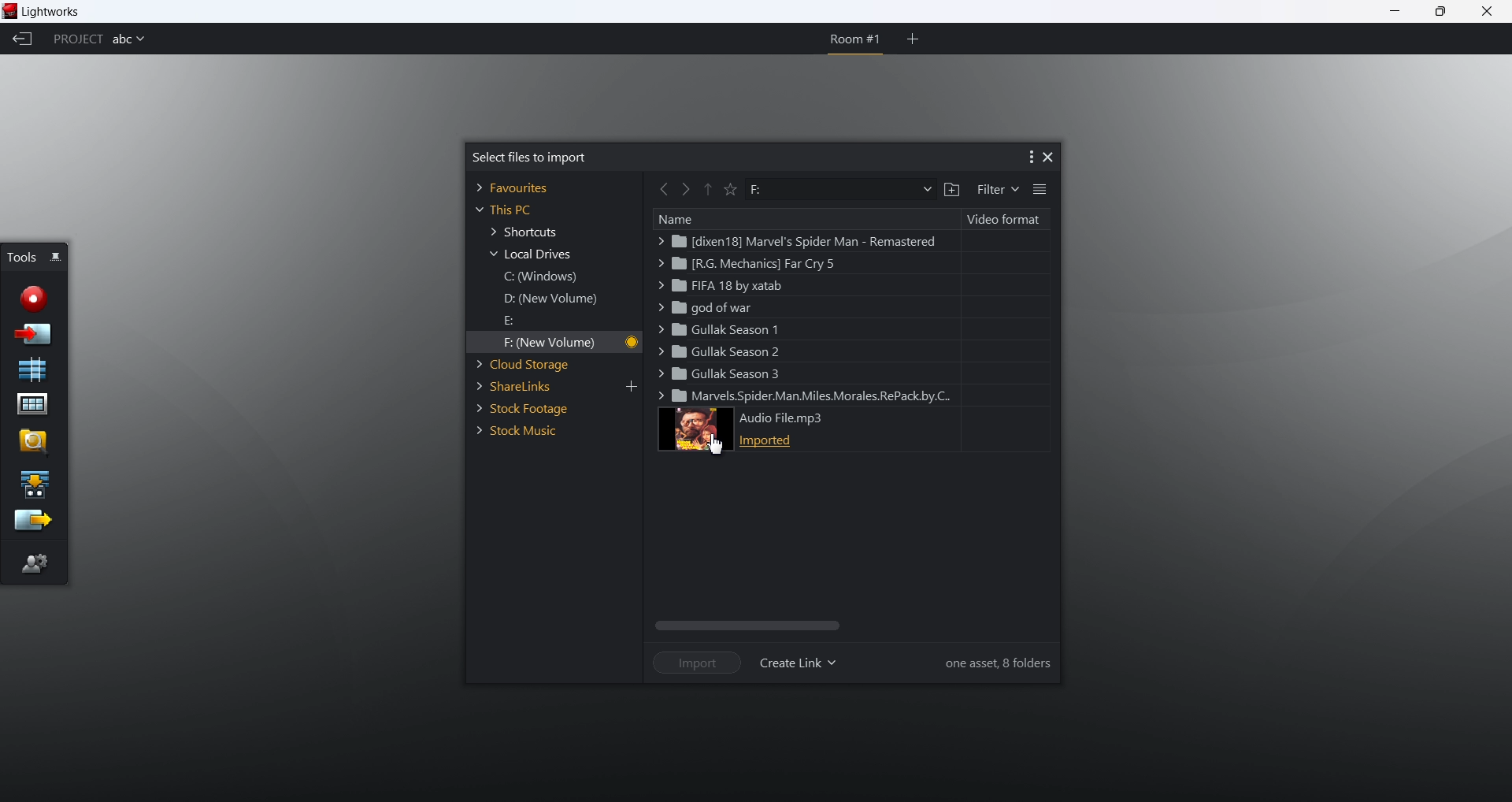 The width and height of the screenshot is (1512, 802). I want to click on E, so click(516, 322).